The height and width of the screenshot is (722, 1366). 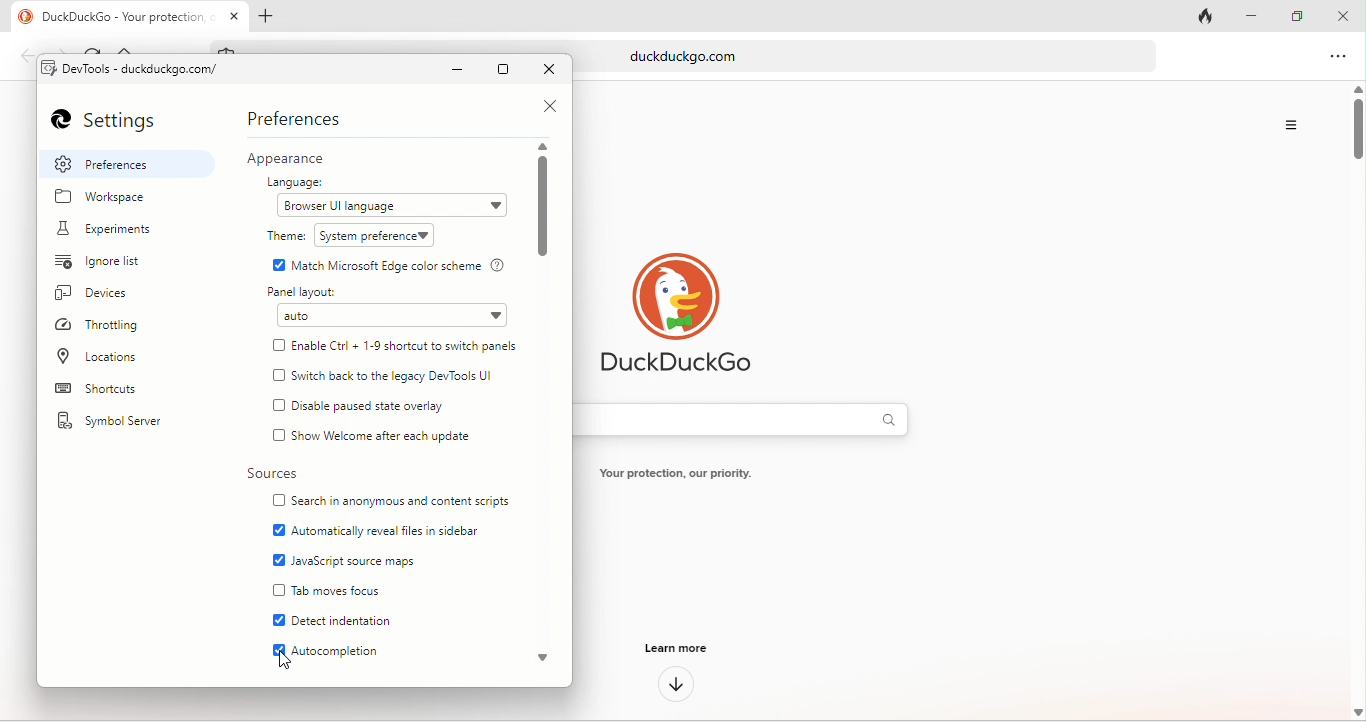 I want to click on panel layout, so click(x=311, y=292).